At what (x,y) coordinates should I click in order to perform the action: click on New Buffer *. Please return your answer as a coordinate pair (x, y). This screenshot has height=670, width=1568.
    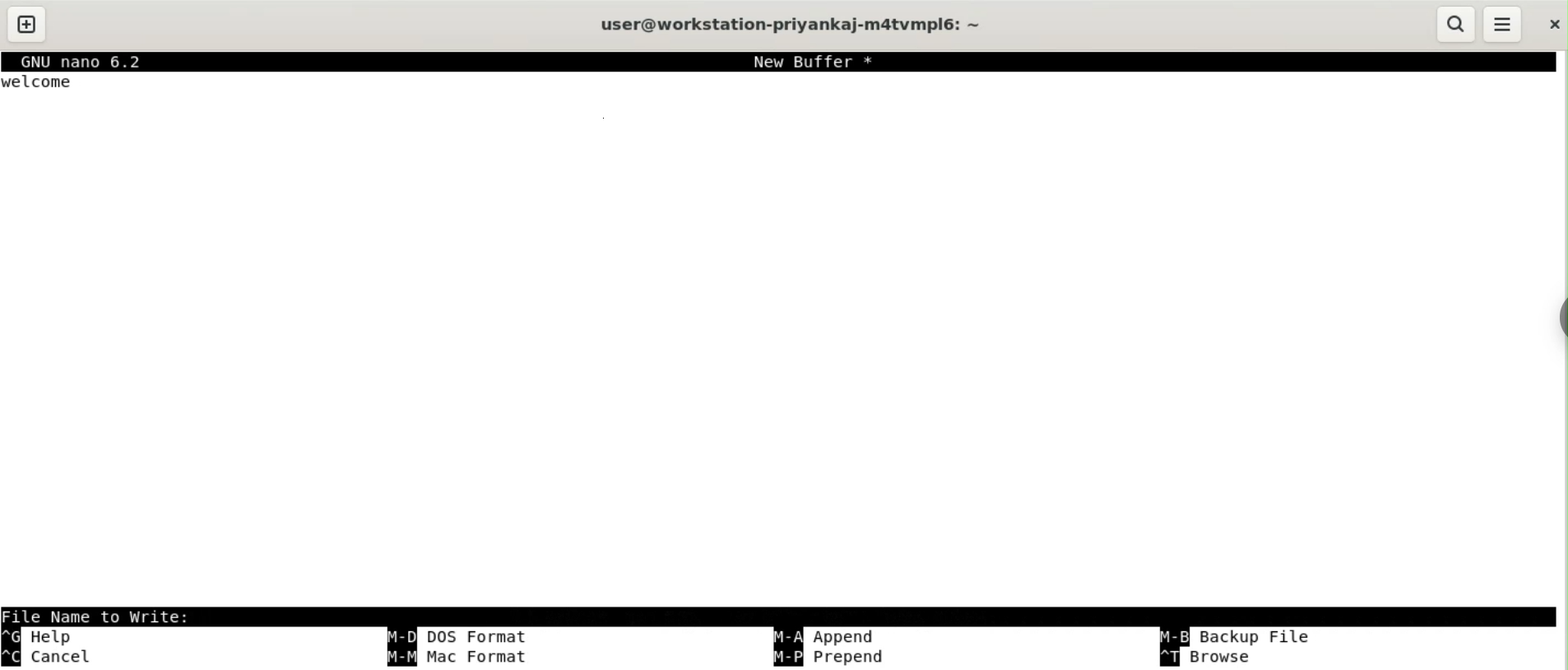
    Looking at the image, I should click on (812, 62).